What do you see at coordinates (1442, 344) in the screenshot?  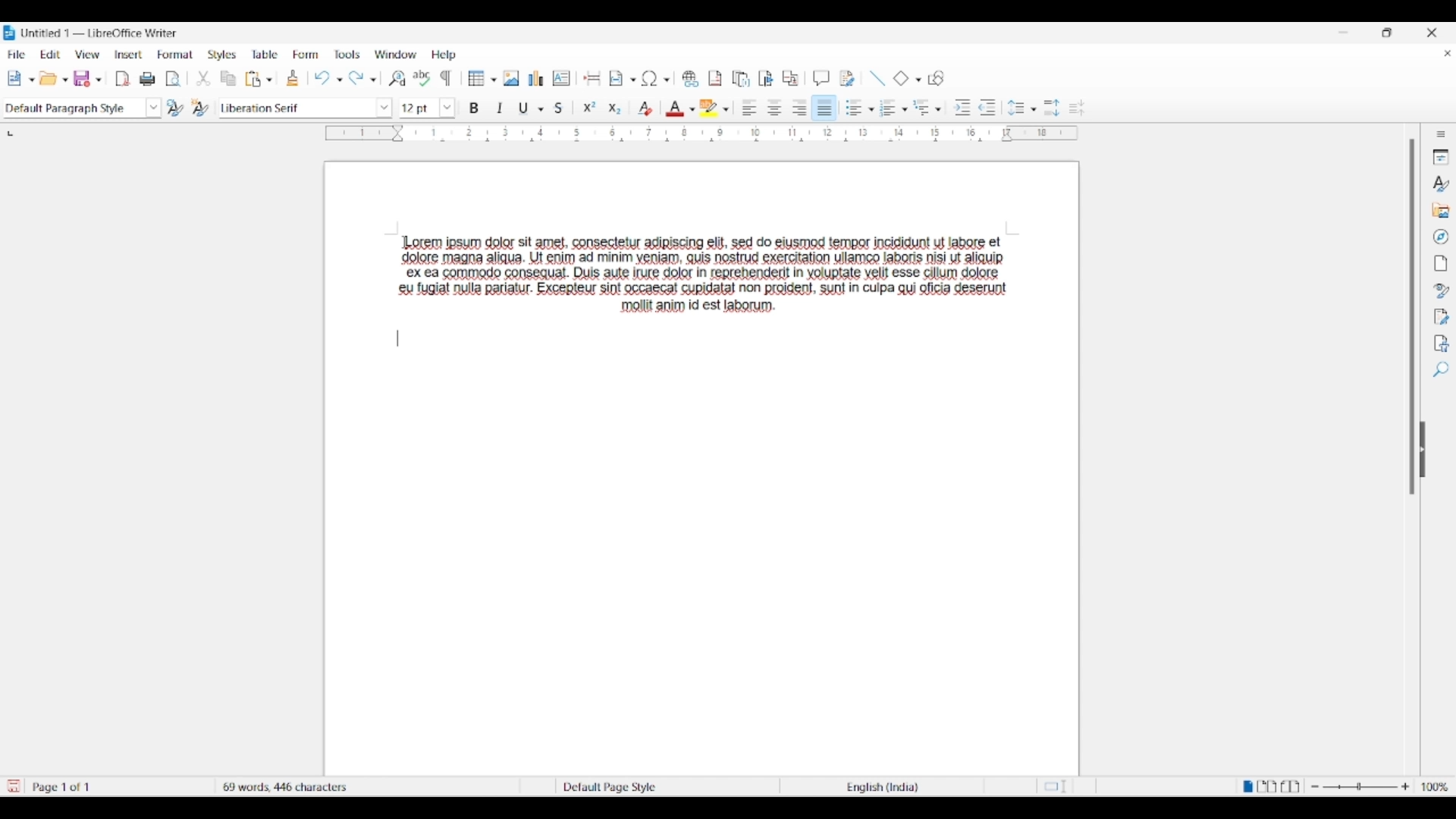 I see `Accessibility check` at bounding box center [1442, 344].